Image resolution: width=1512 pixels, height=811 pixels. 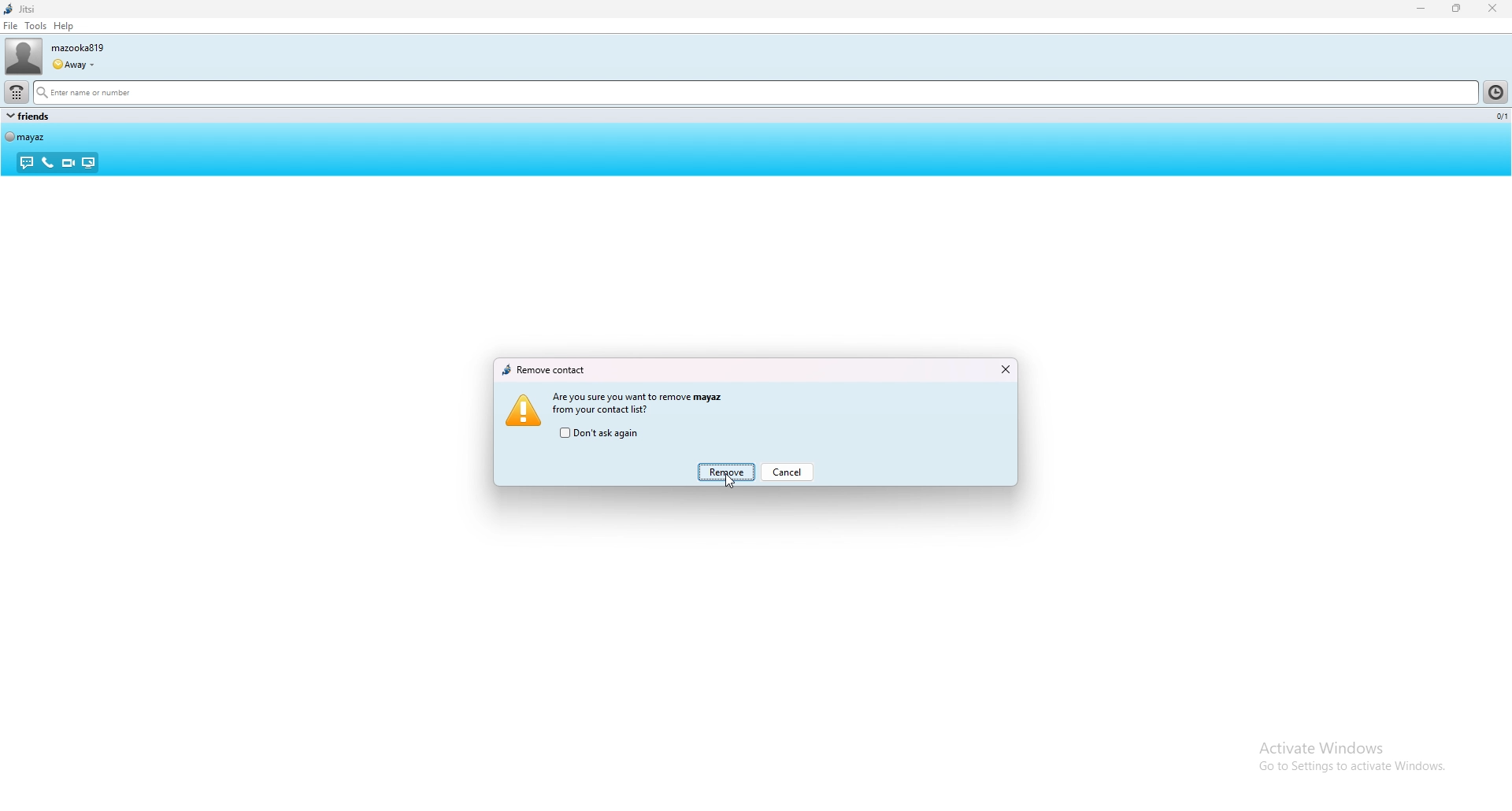 What do you see at coordinates (28, 163) in the screenshot?
I see `chat` at bounding box center [28, 163].